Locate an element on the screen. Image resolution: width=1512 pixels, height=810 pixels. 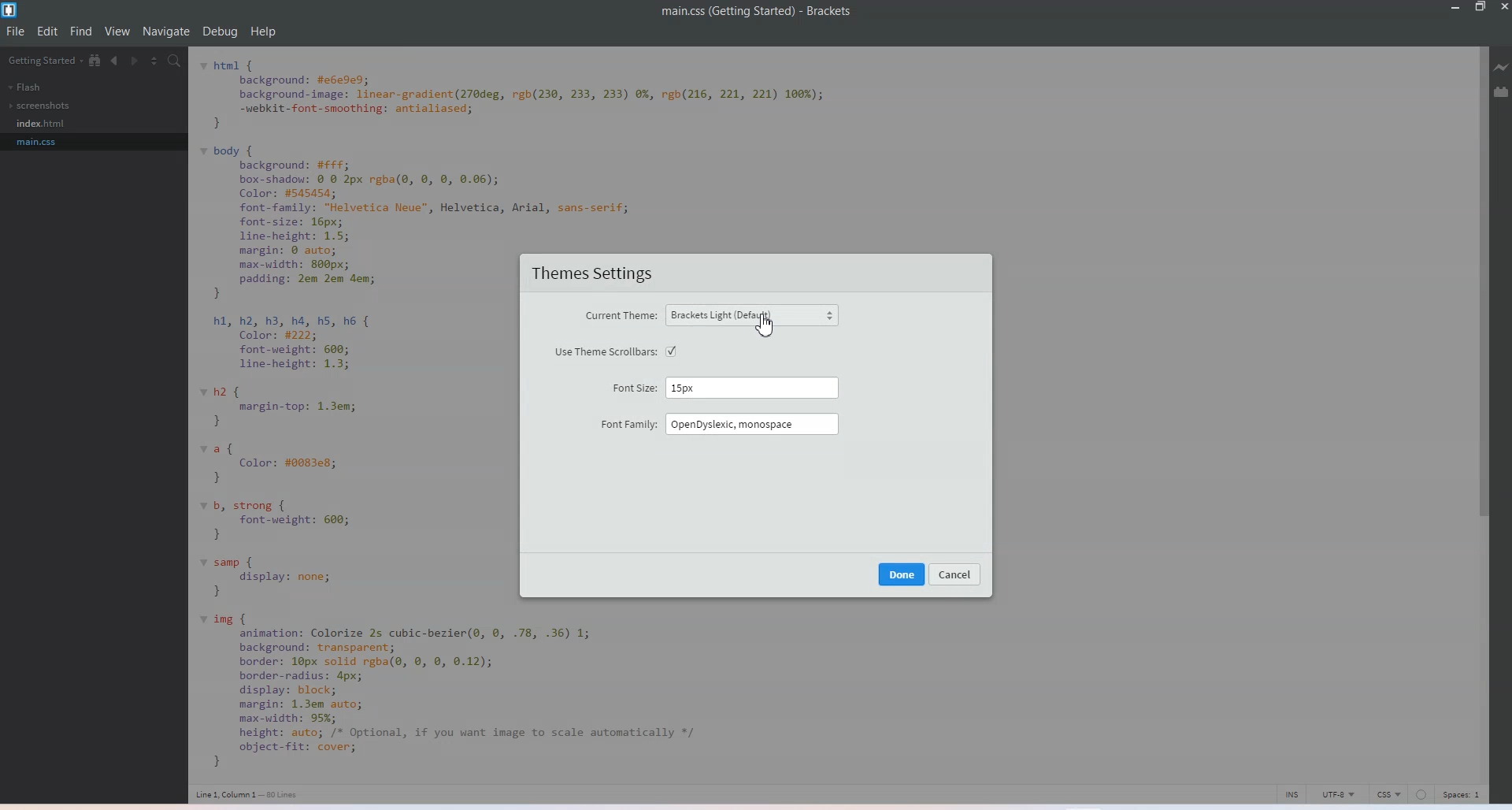
Split editor vertically and Horizontally is located at coordinates (157, 61).